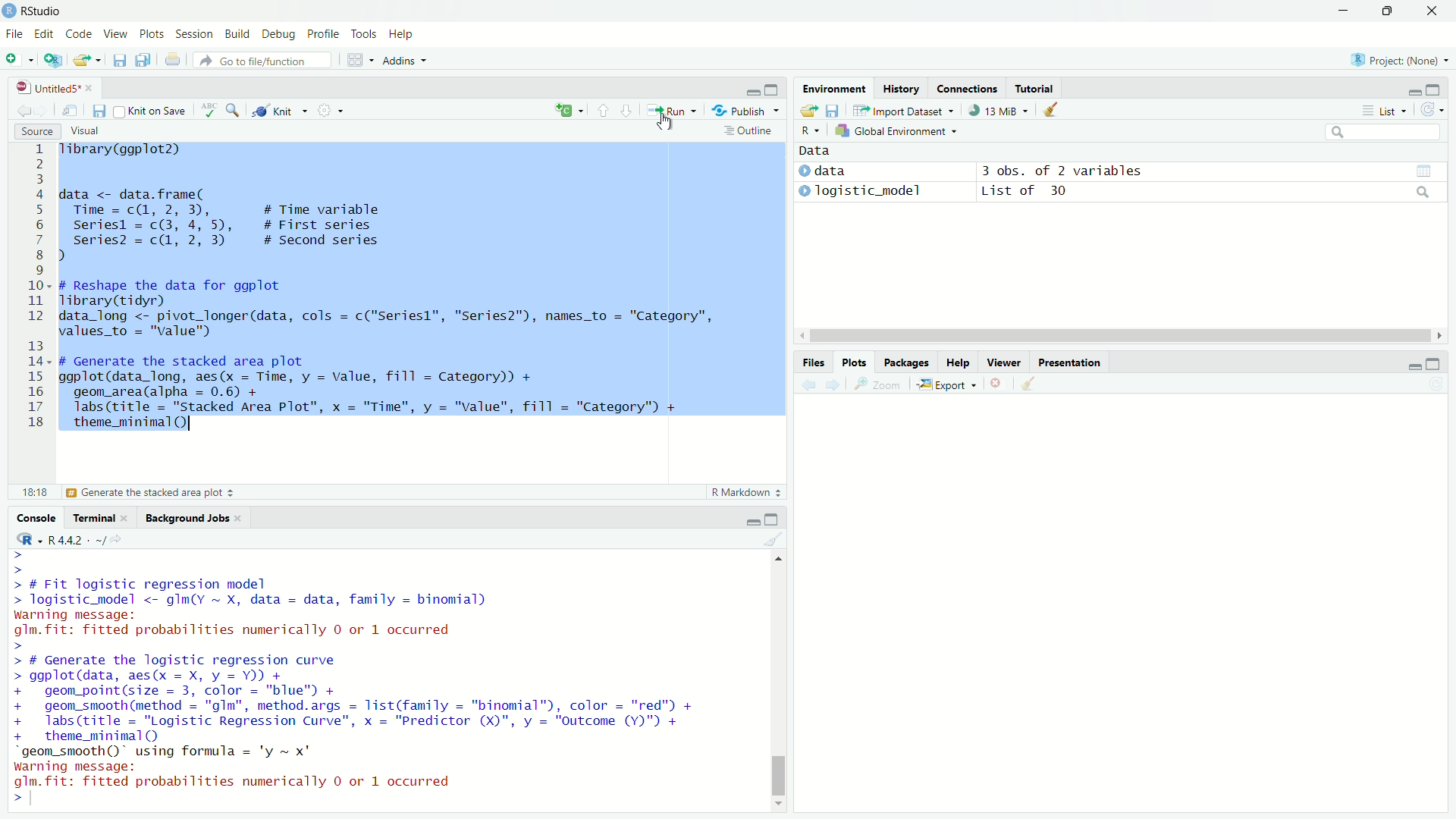  I want to click on copy, so click(149, 61).